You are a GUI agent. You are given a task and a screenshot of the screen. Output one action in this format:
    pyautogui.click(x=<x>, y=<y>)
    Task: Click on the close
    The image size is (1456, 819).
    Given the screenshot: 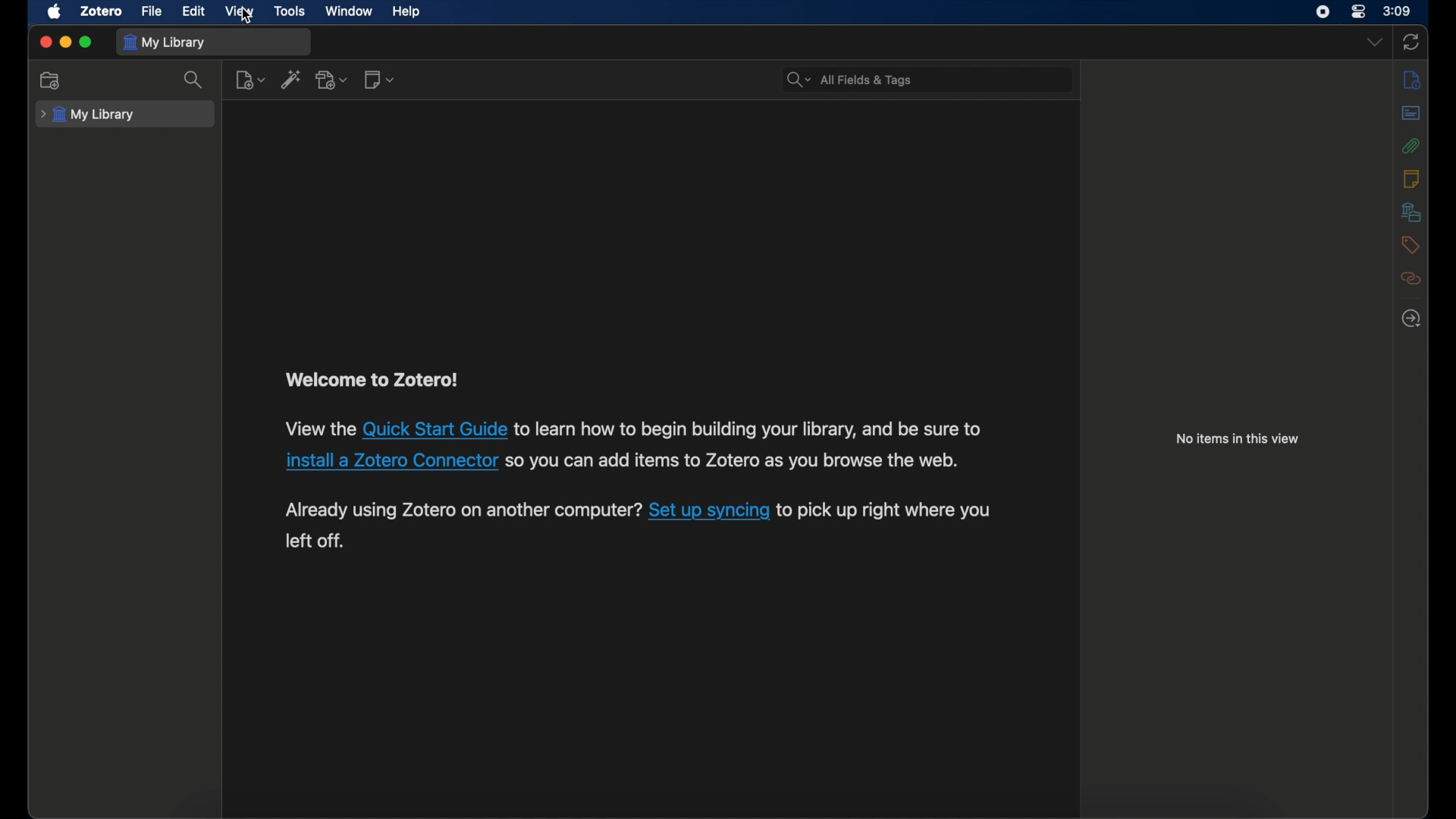 What is the action you would take?
    pyautogui.click(x=45, y=42)
    